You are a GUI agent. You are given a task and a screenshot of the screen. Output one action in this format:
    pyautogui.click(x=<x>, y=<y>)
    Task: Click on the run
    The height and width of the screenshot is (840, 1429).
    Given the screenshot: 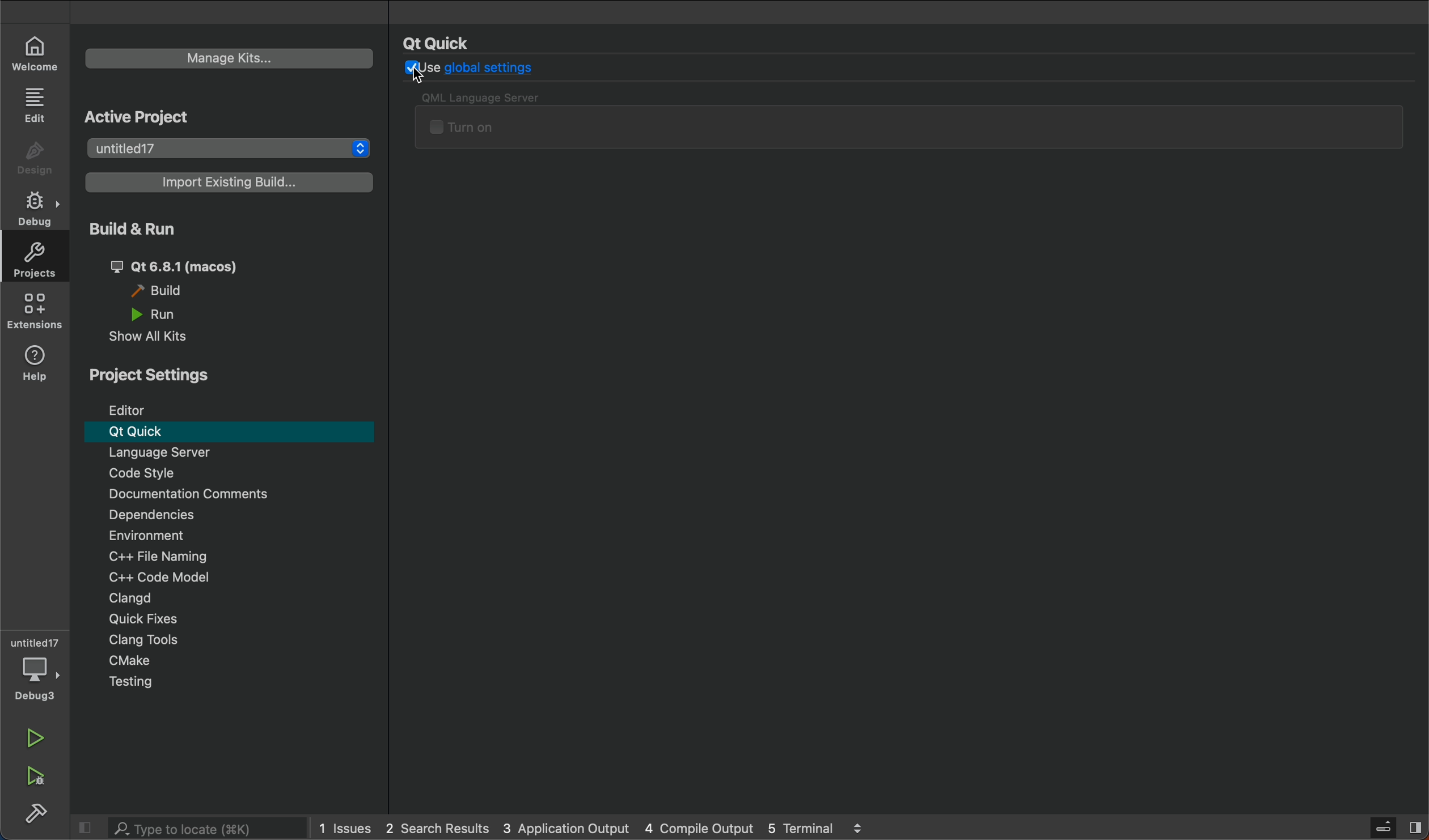 What is the action you would take?
    pyautogui.click(x=34, y=736)
    